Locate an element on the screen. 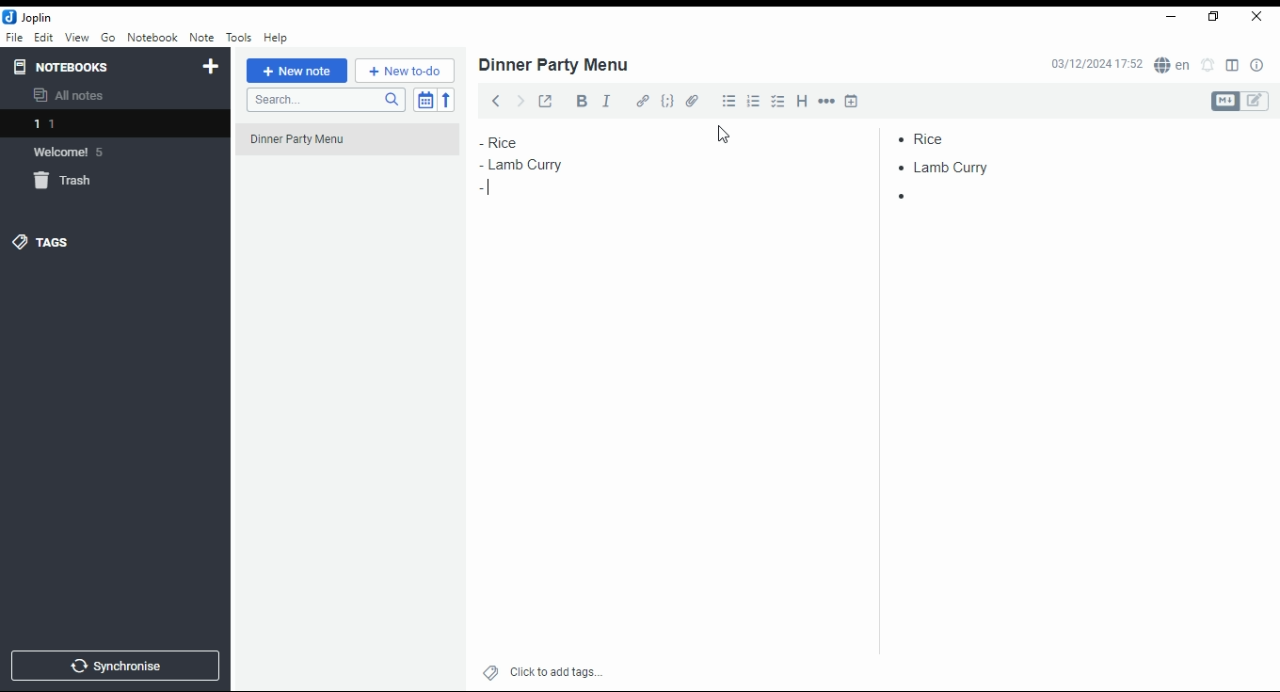 The height and width of the screenshot is (692, 1280). tags is located at coordinates (55, 242).